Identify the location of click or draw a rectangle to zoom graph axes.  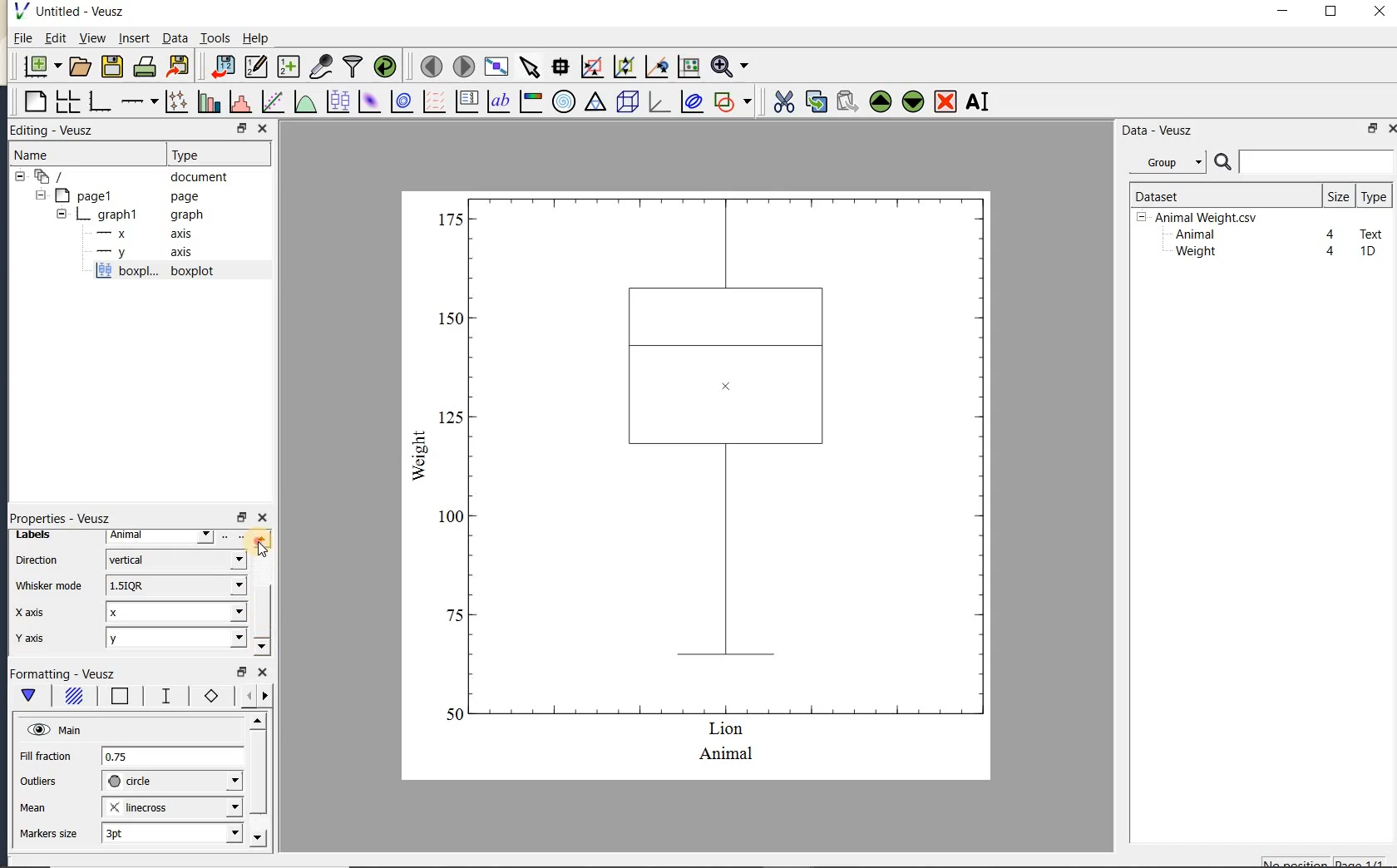
(591, 67).